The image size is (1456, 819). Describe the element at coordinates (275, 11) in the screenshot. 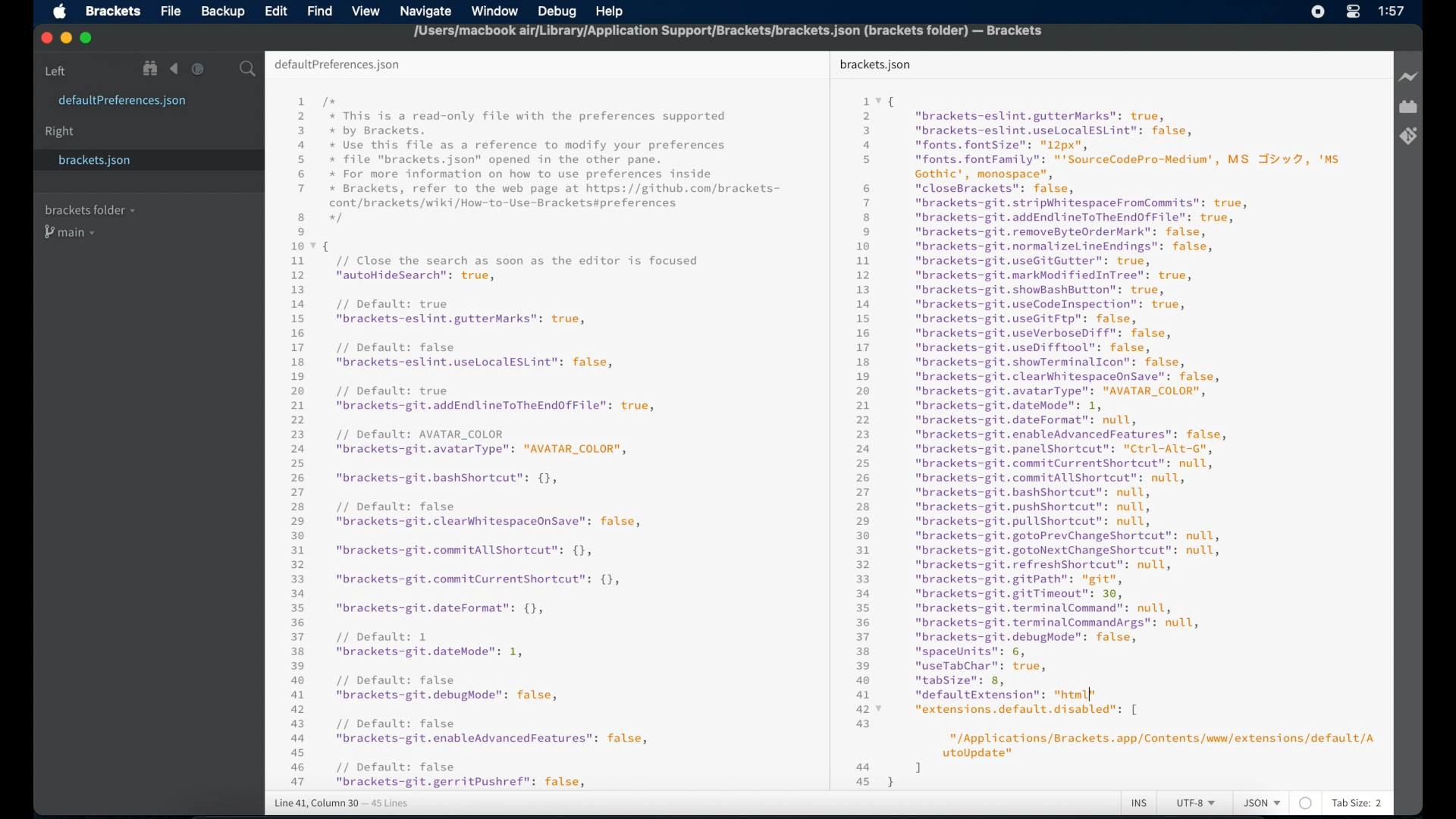

I see `edit` at that location.